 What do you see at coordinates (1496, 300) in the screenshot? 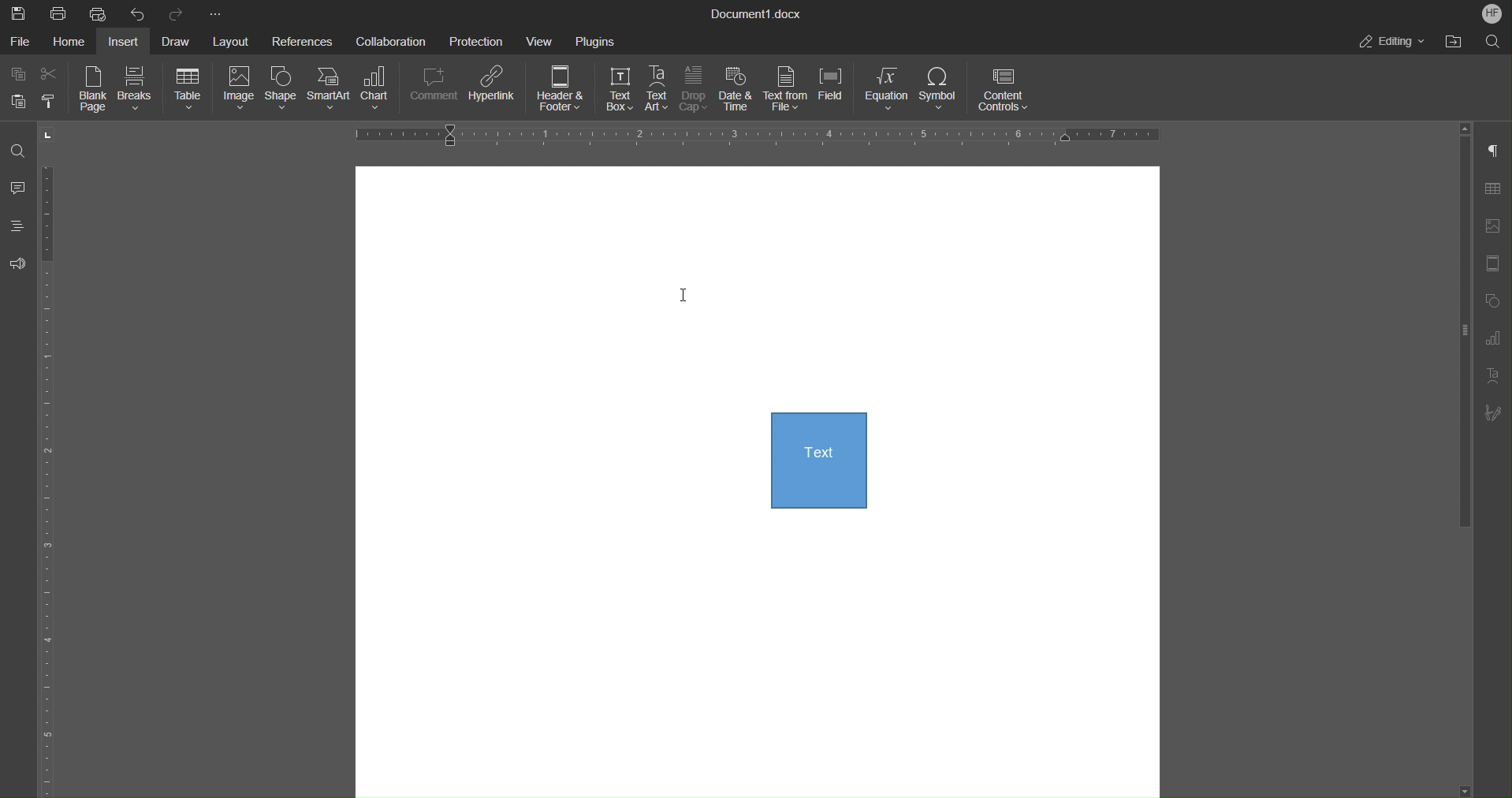
I see `Shape Settings` at bounding box center [1496, 300].